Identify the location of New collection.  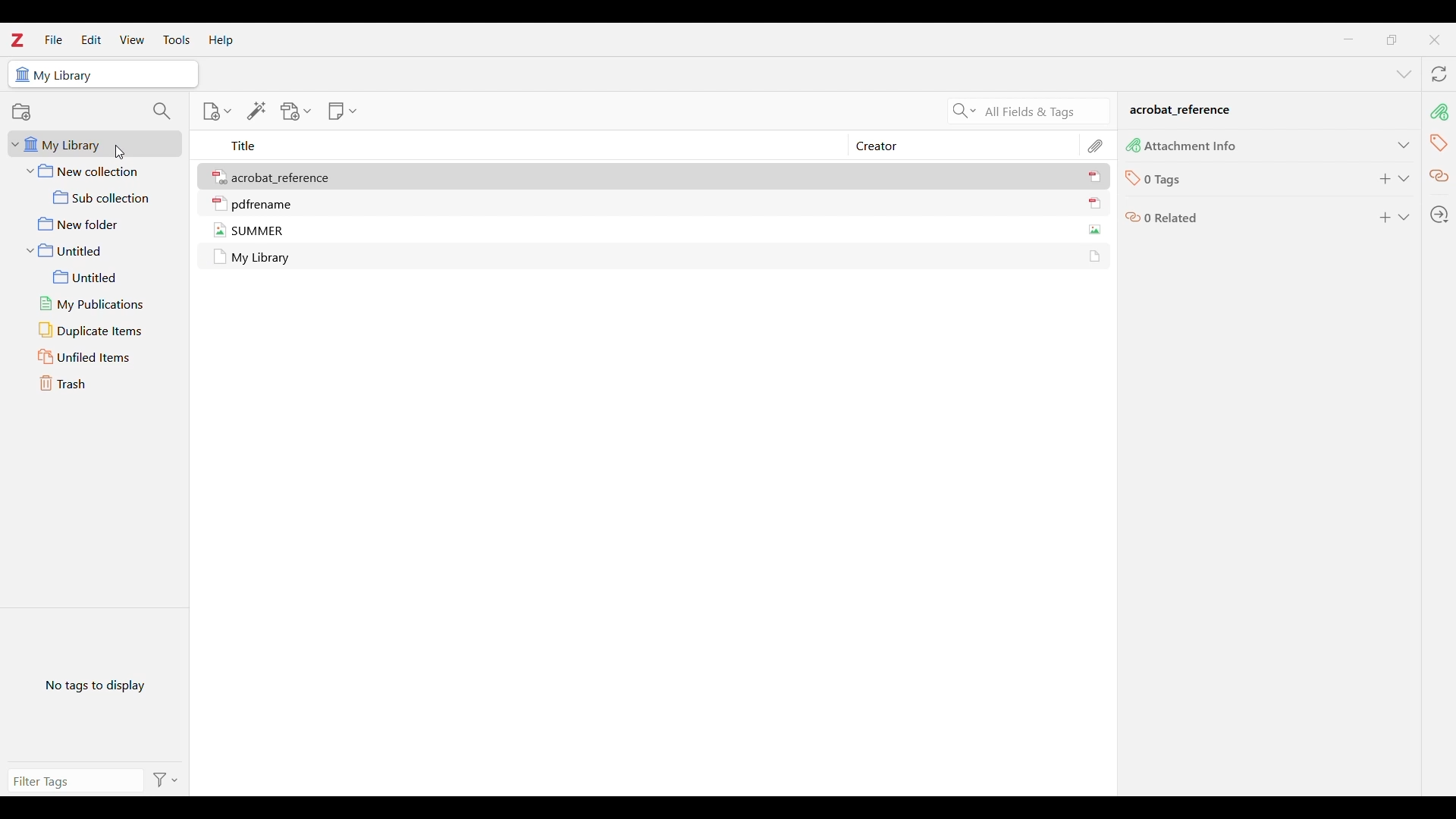
(96, 171).